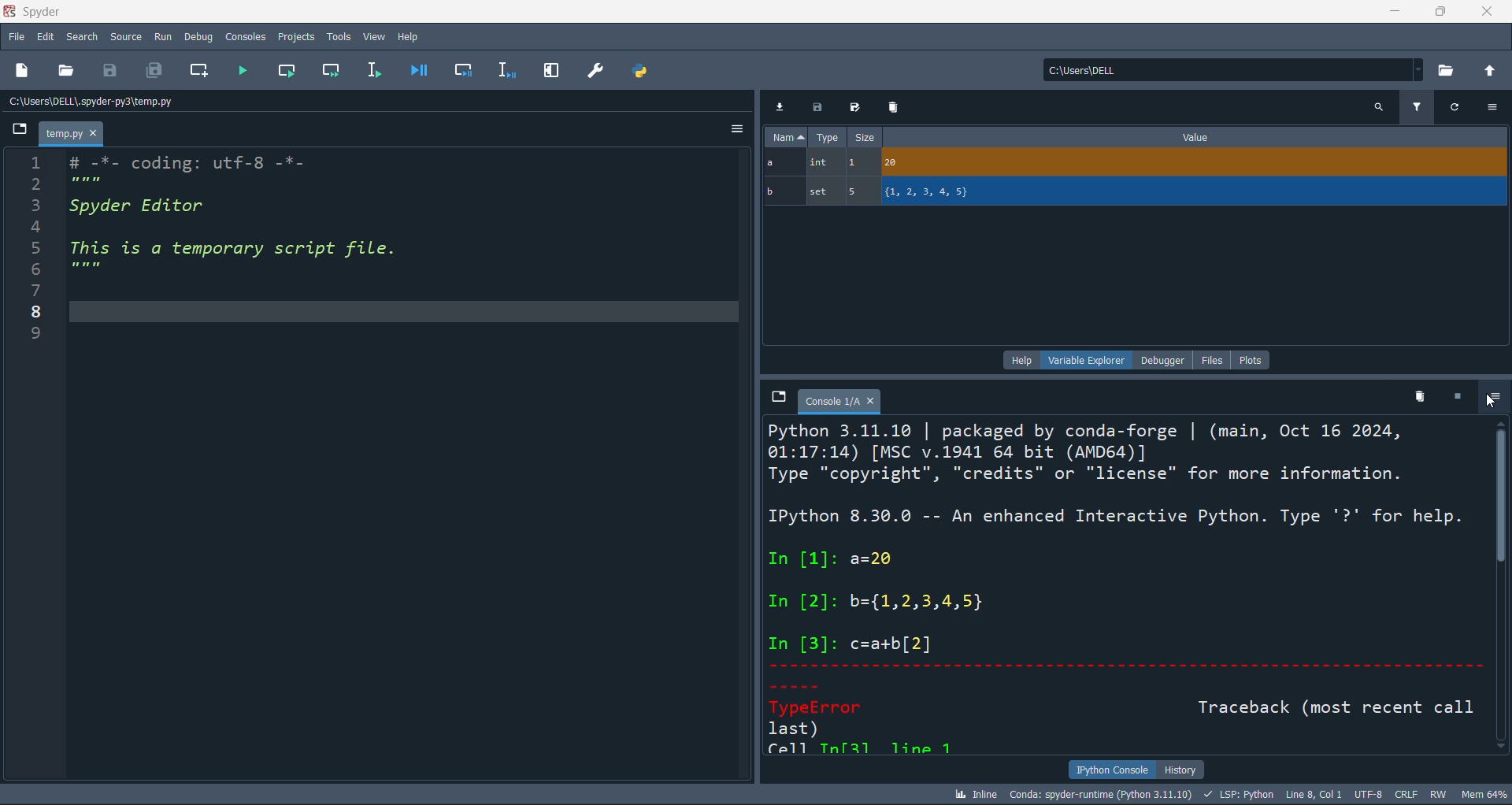 The width and height of the screenshot is (1512, 805). What do you see at coordinates (1439, 11) in the screenshot?
I see `maximize` at bounding box center [1439, 11].